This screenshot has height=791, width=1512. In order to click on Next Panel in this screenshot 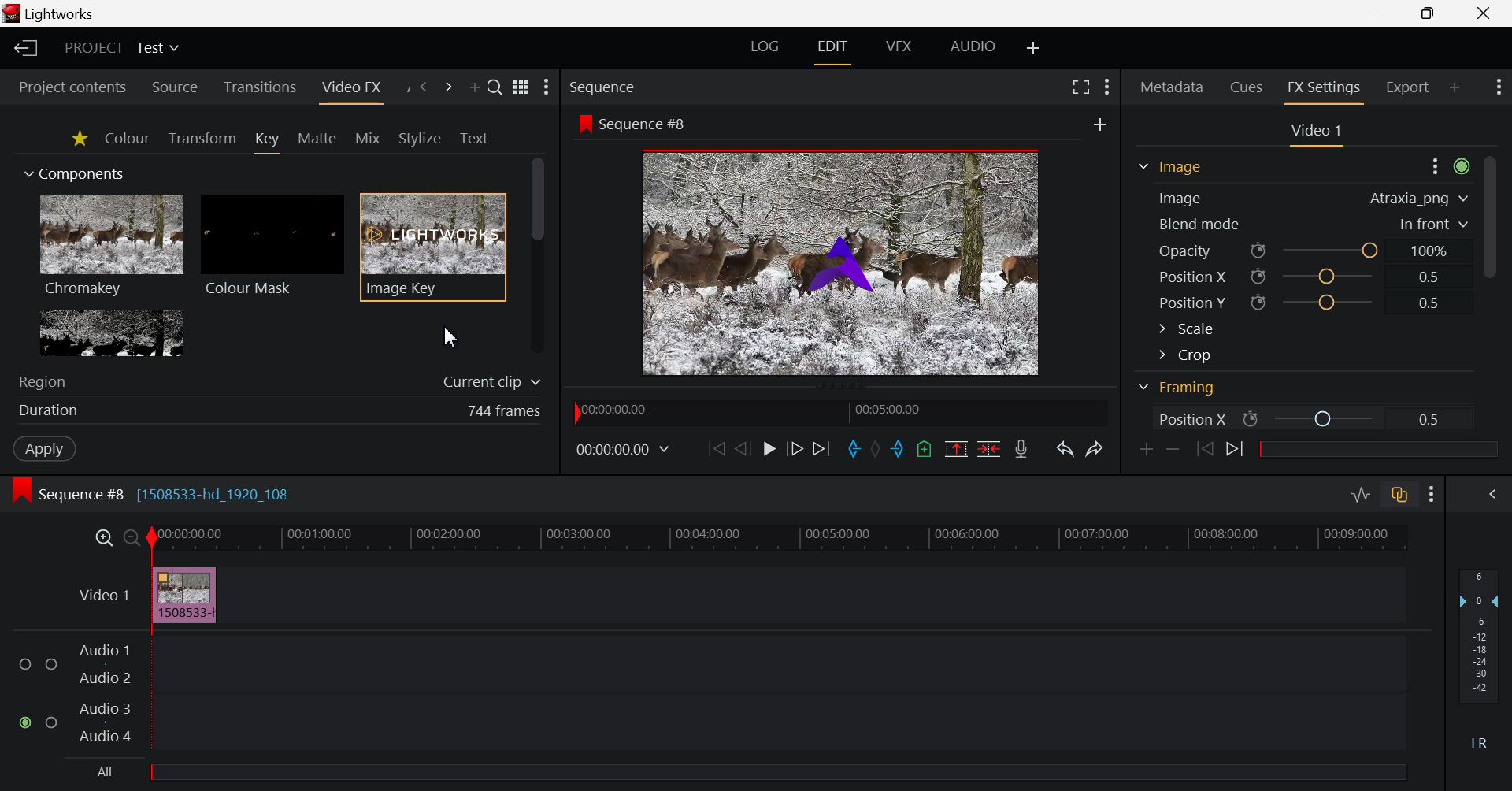, I will do `click(448, 87)`.